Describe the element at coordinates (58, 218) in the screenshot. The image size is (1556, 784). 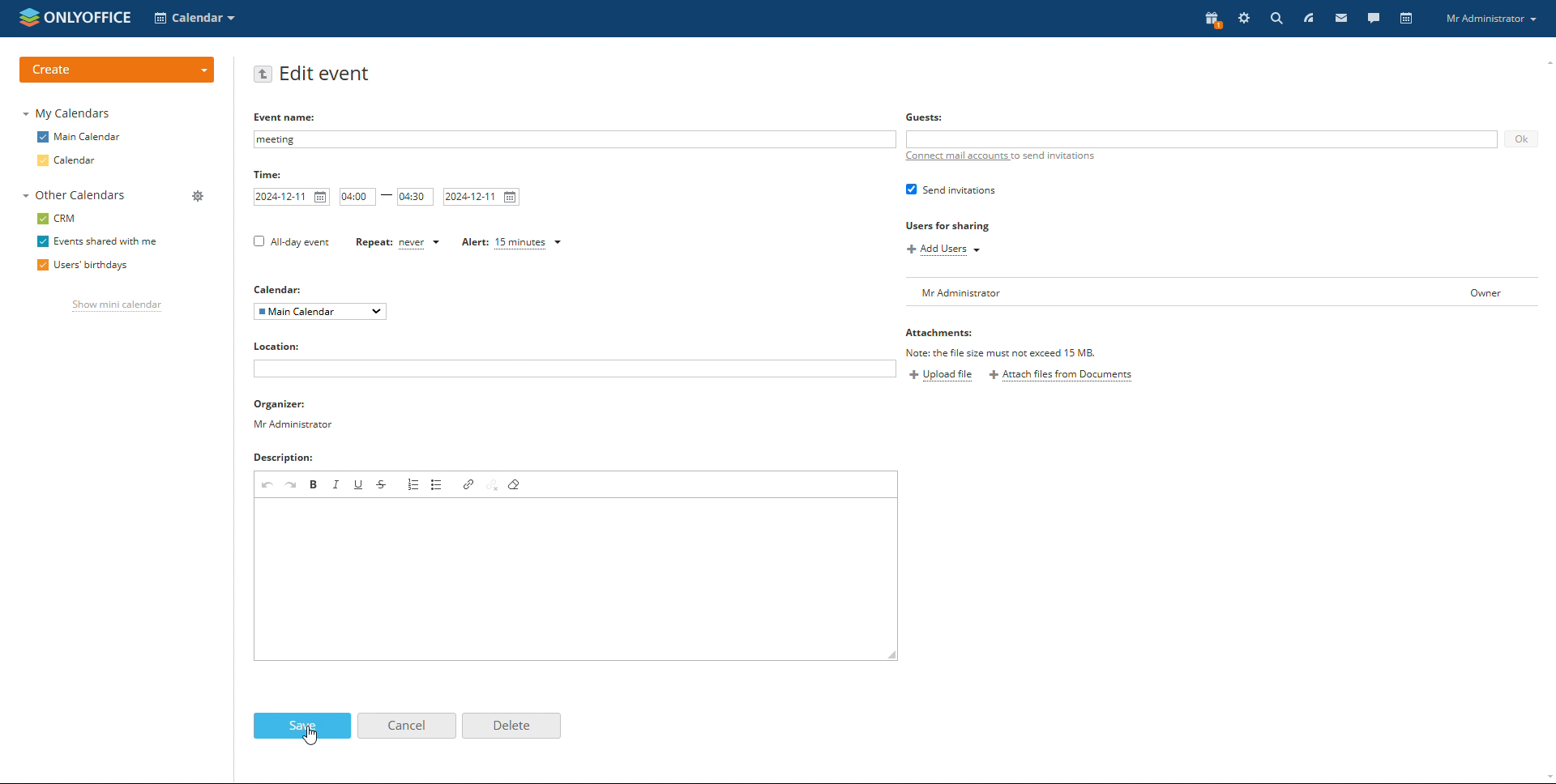
I see `crm` at that location.